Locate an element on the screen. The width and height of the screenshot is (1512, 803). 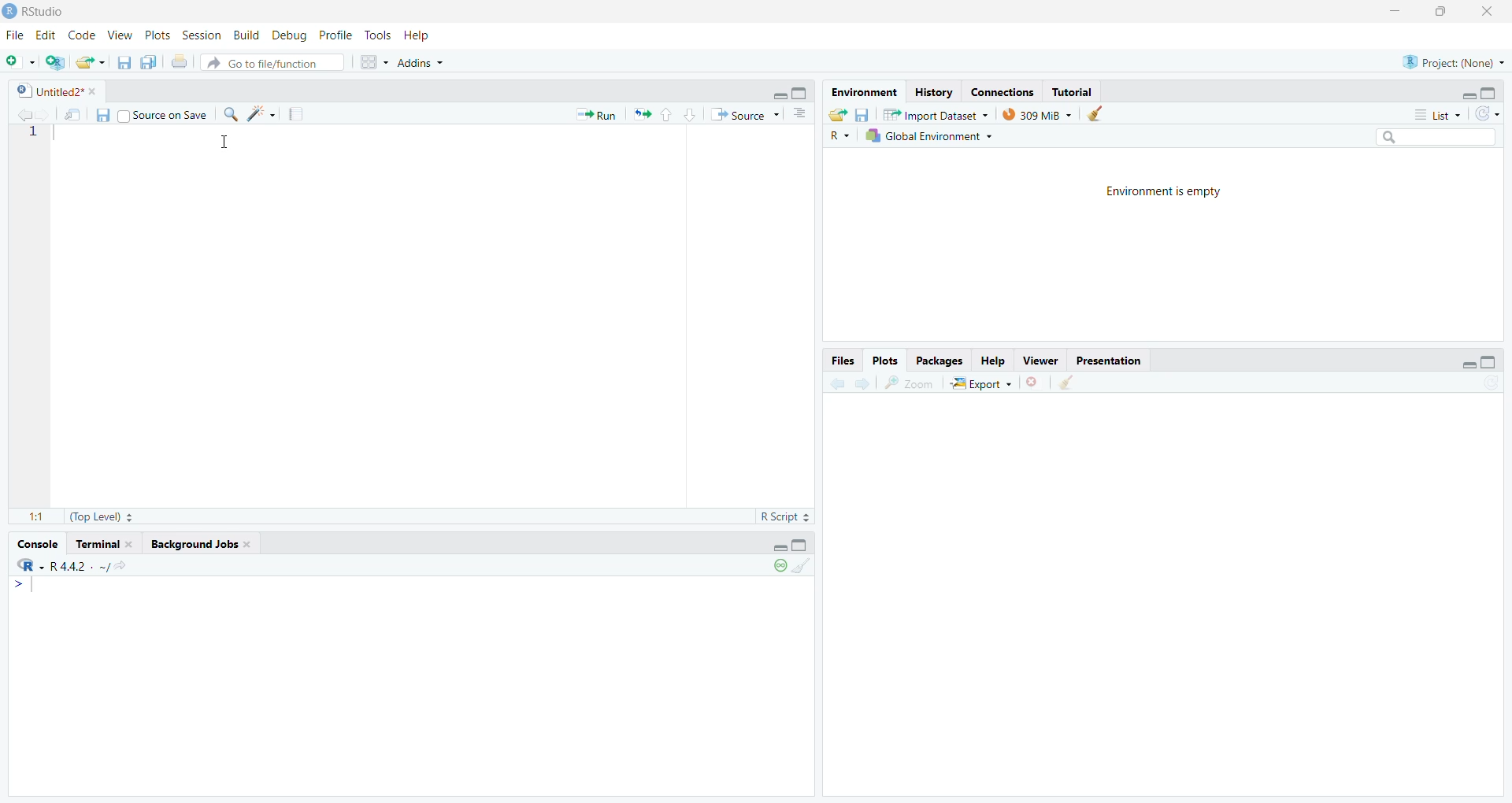
Project: (None) ~ is located at coordinates (1453, 61).